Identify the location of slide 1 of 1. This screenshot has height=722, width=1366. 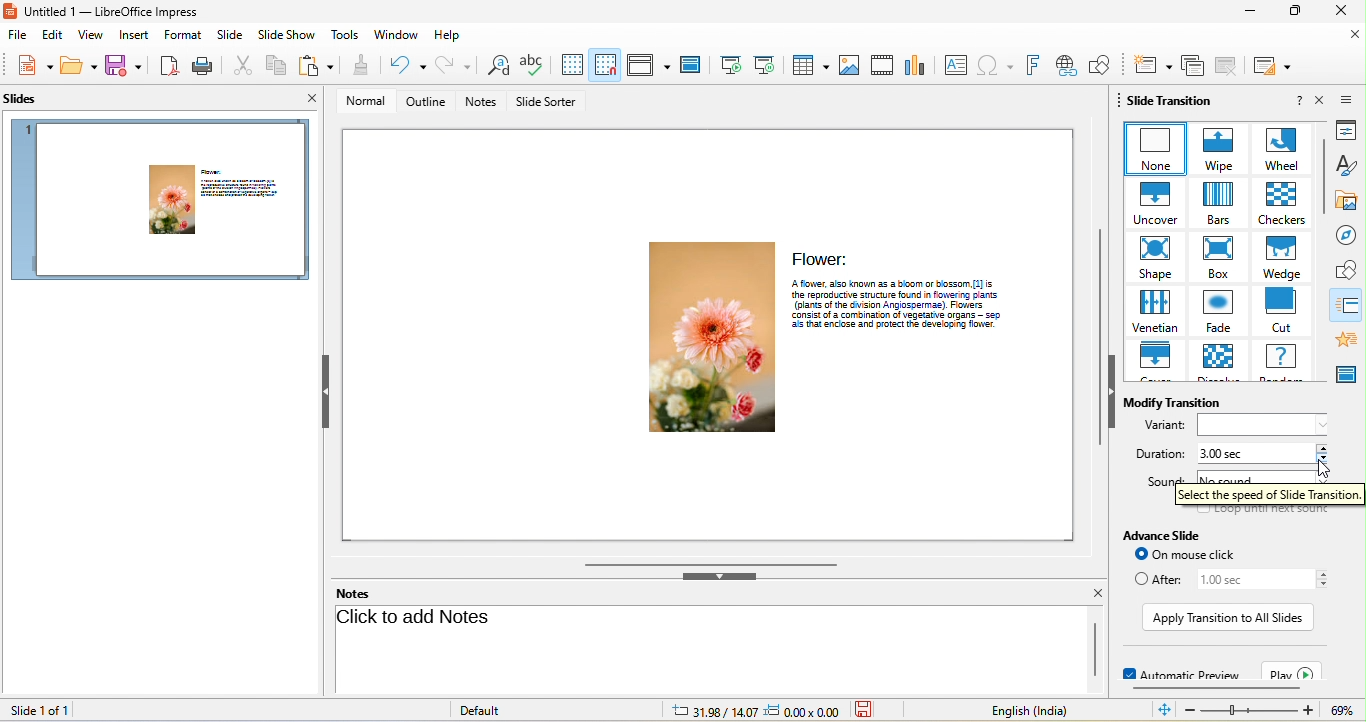
(38, 710).